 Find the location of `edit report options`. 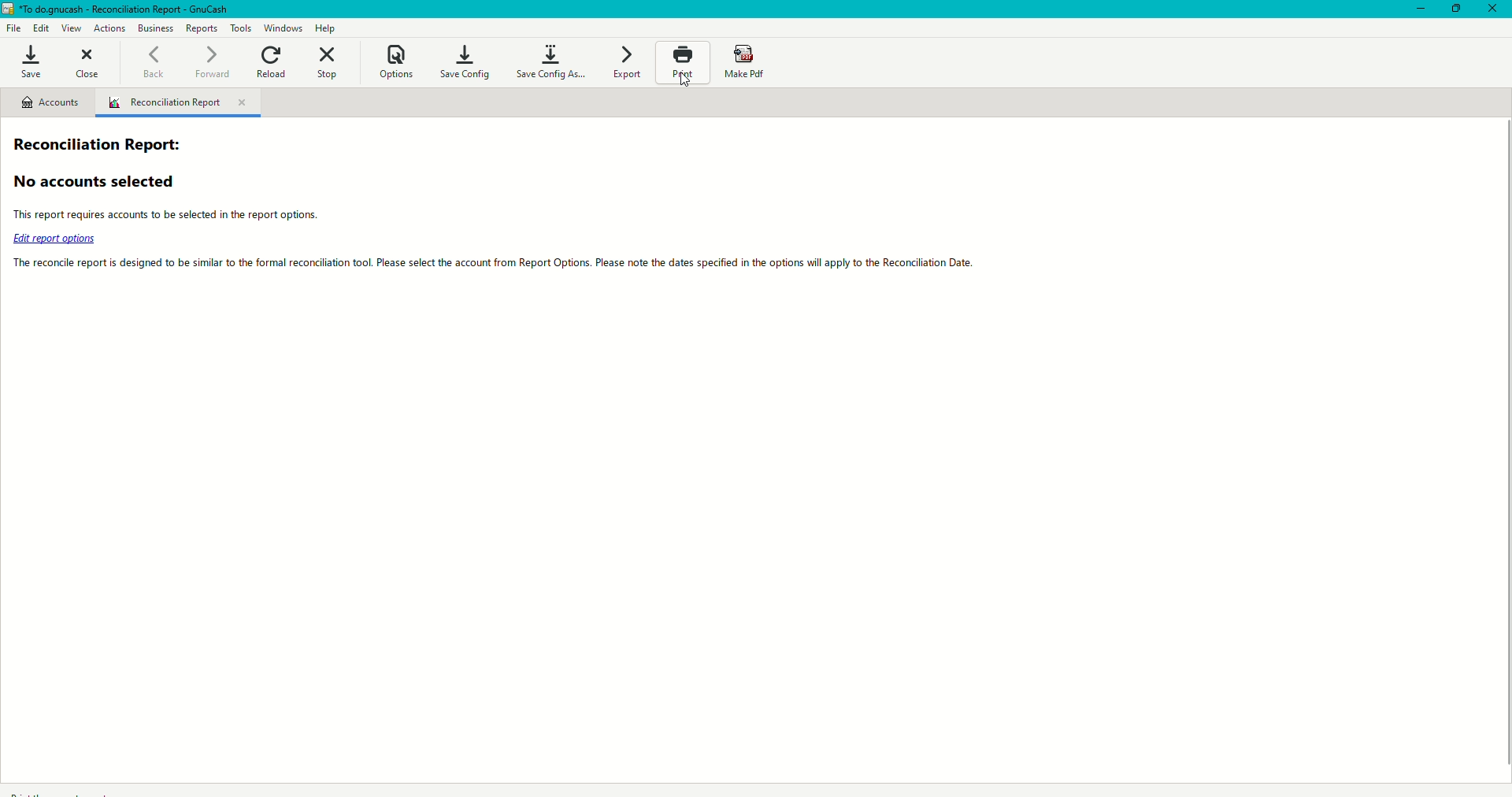

edit report options is located at coordinates (59, 239).